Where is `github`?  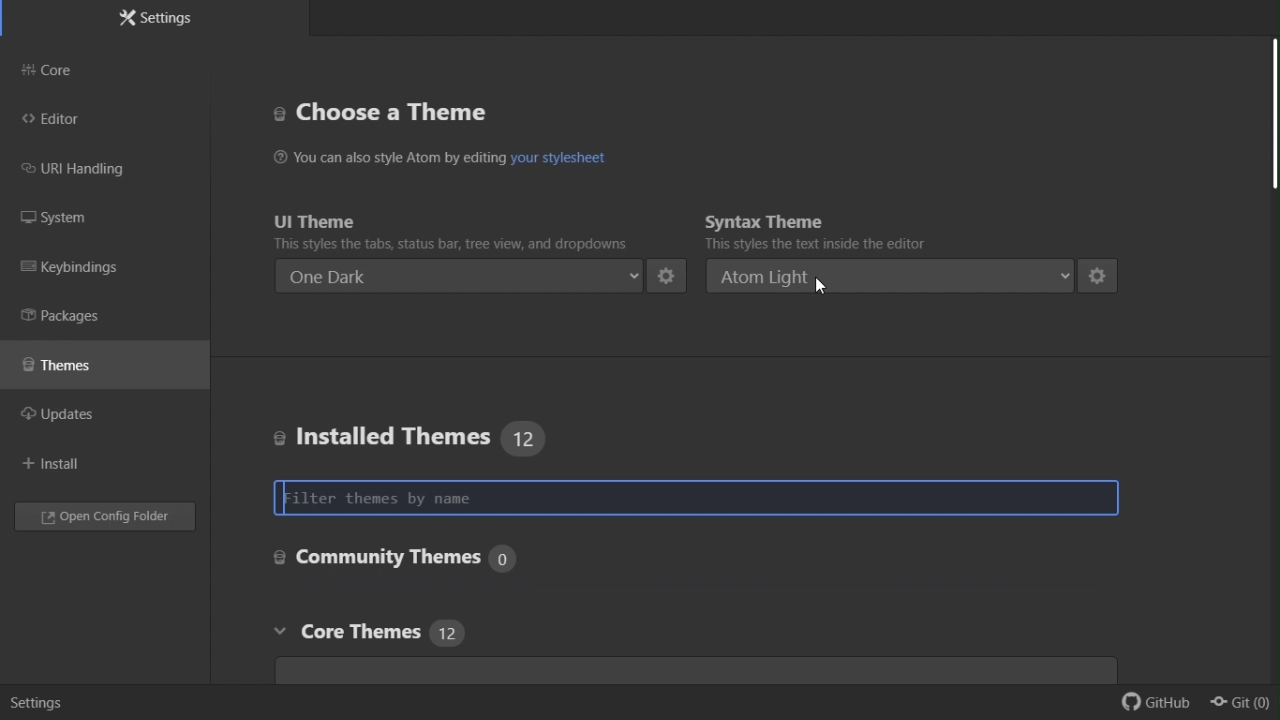 github is located at coordinates (1156, 706).